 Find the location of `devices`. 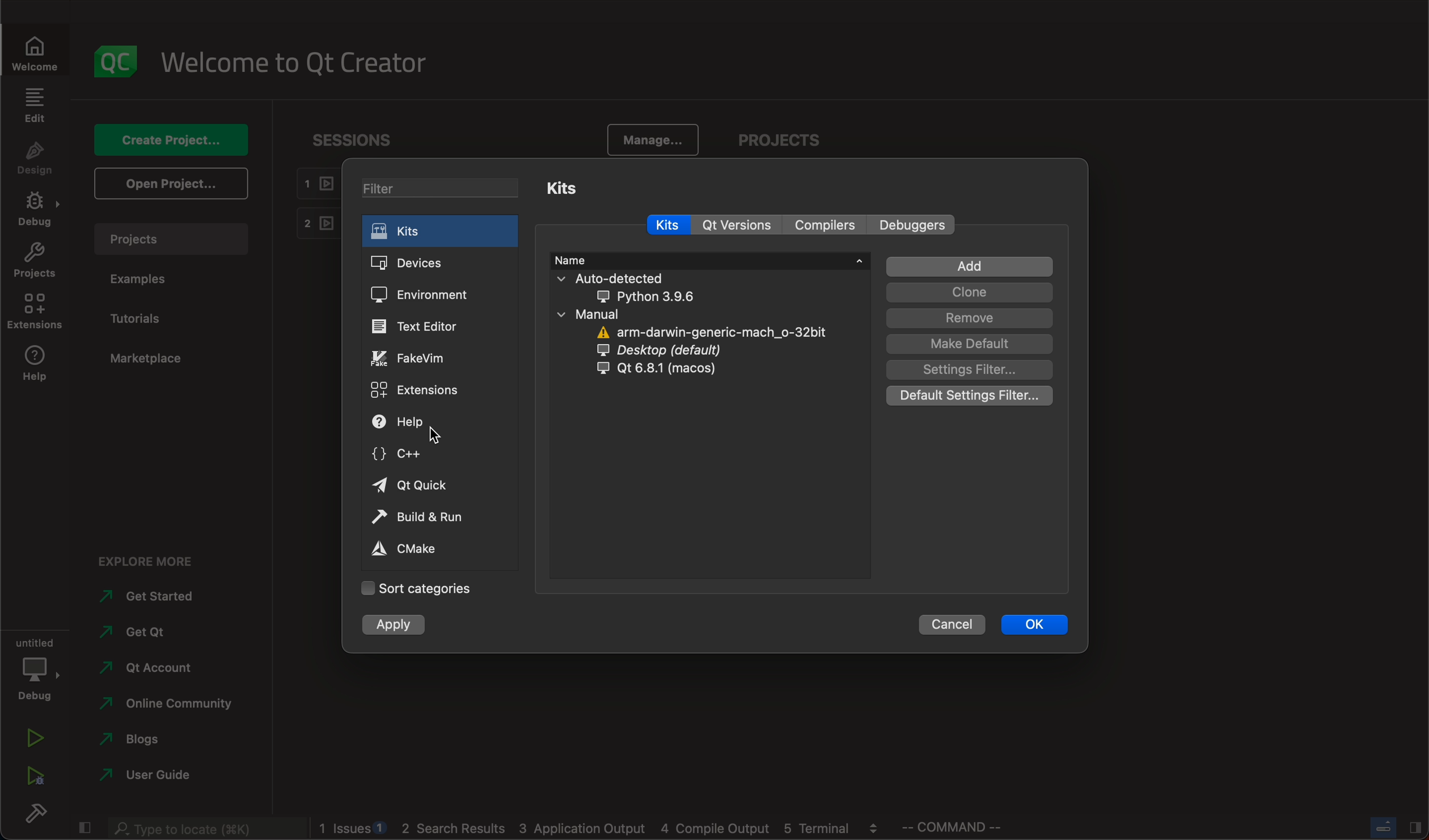

devices is located at coordinates (434, 262).